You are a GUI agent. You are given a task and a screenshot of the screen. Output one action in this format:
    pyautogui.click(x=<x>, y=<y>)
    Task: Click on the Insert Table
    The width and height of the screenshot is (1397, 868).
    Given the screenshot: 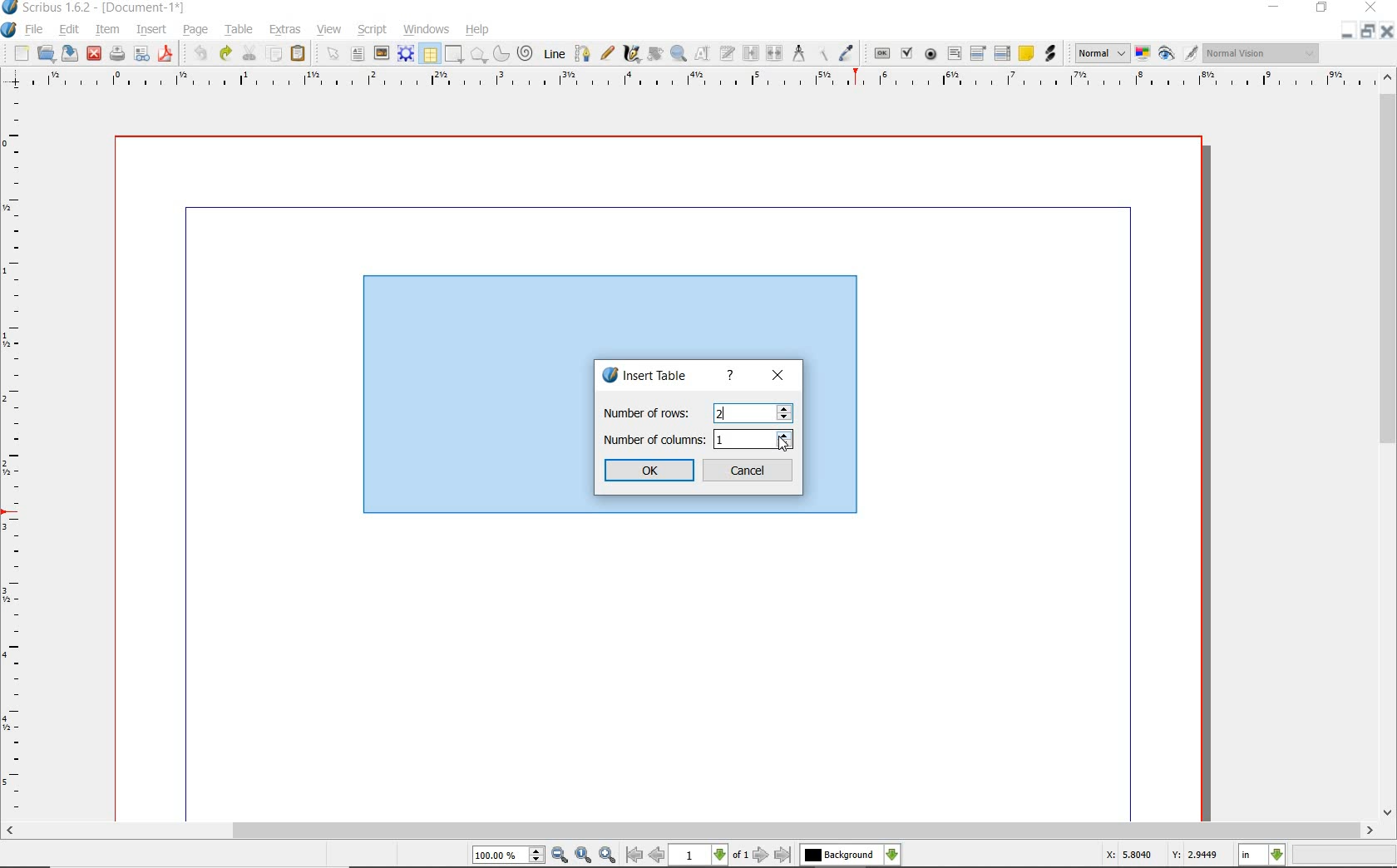 What is the action you would take?
    pyautogui.click(x=650, y=377)
    